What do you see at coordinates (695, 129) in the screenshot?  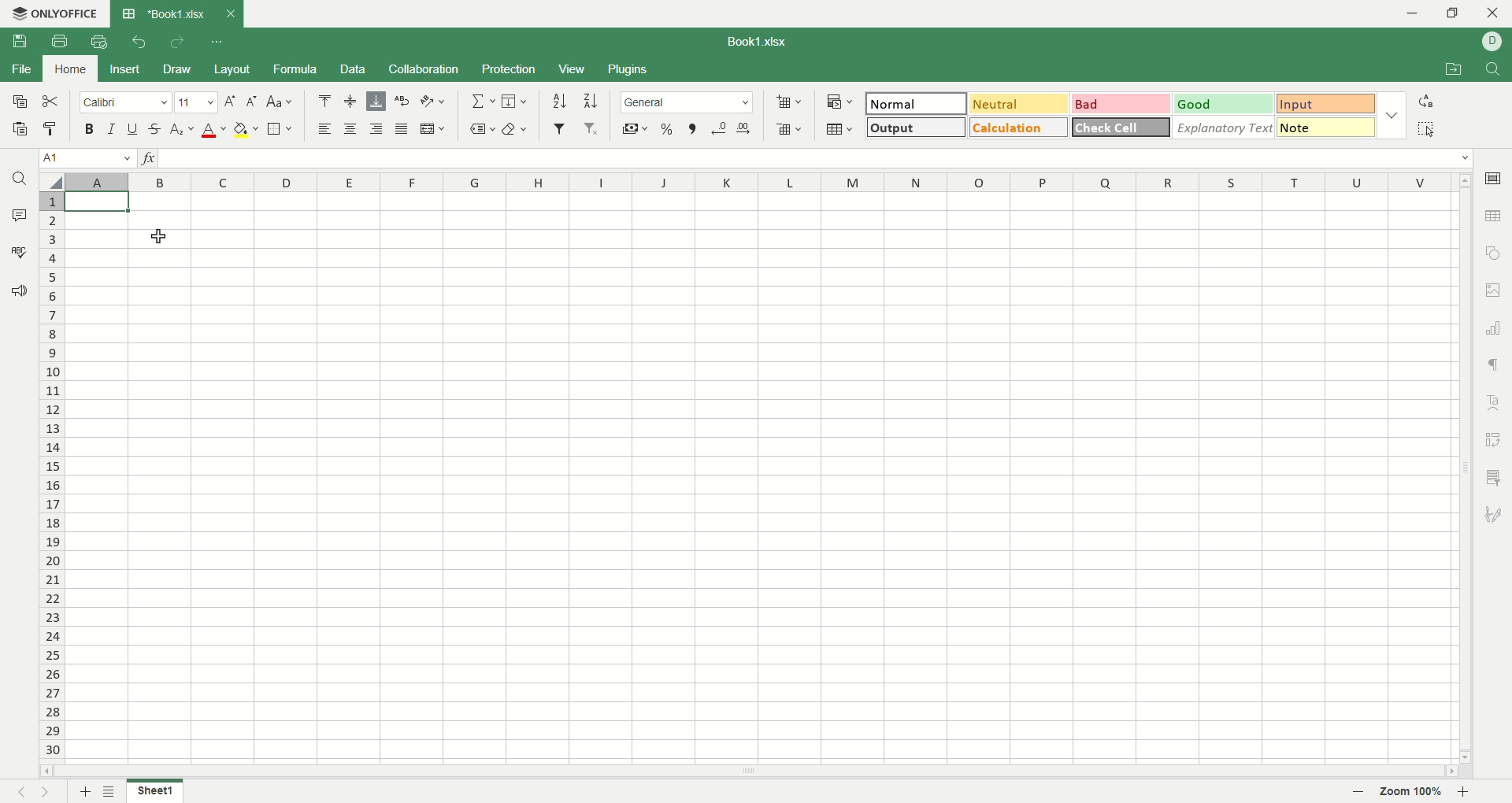 I see `comma style` at bounding box center [695, 129].